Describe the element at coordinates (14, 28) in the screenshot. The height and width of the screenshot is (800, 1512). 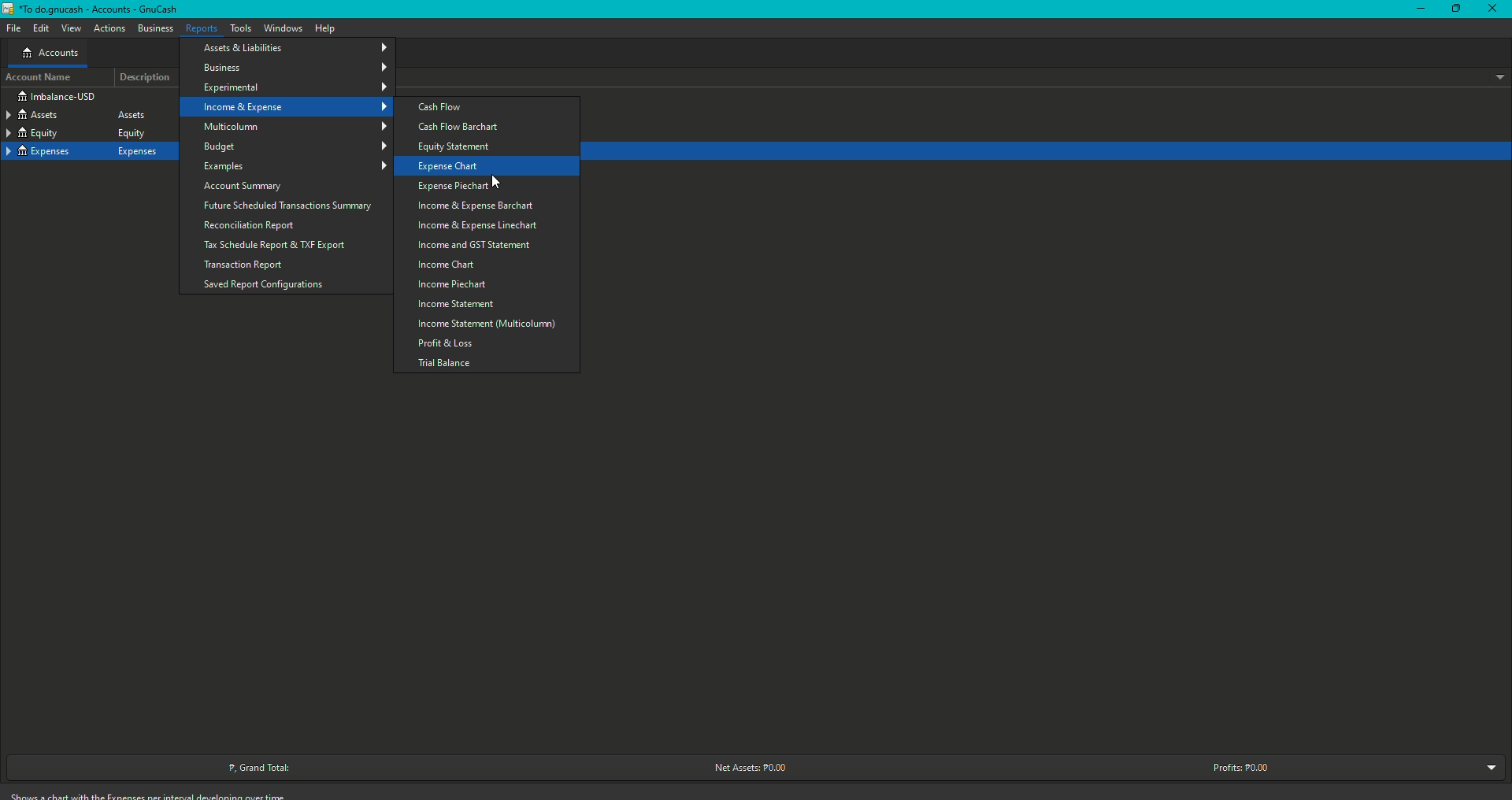
I see `File` at that location.